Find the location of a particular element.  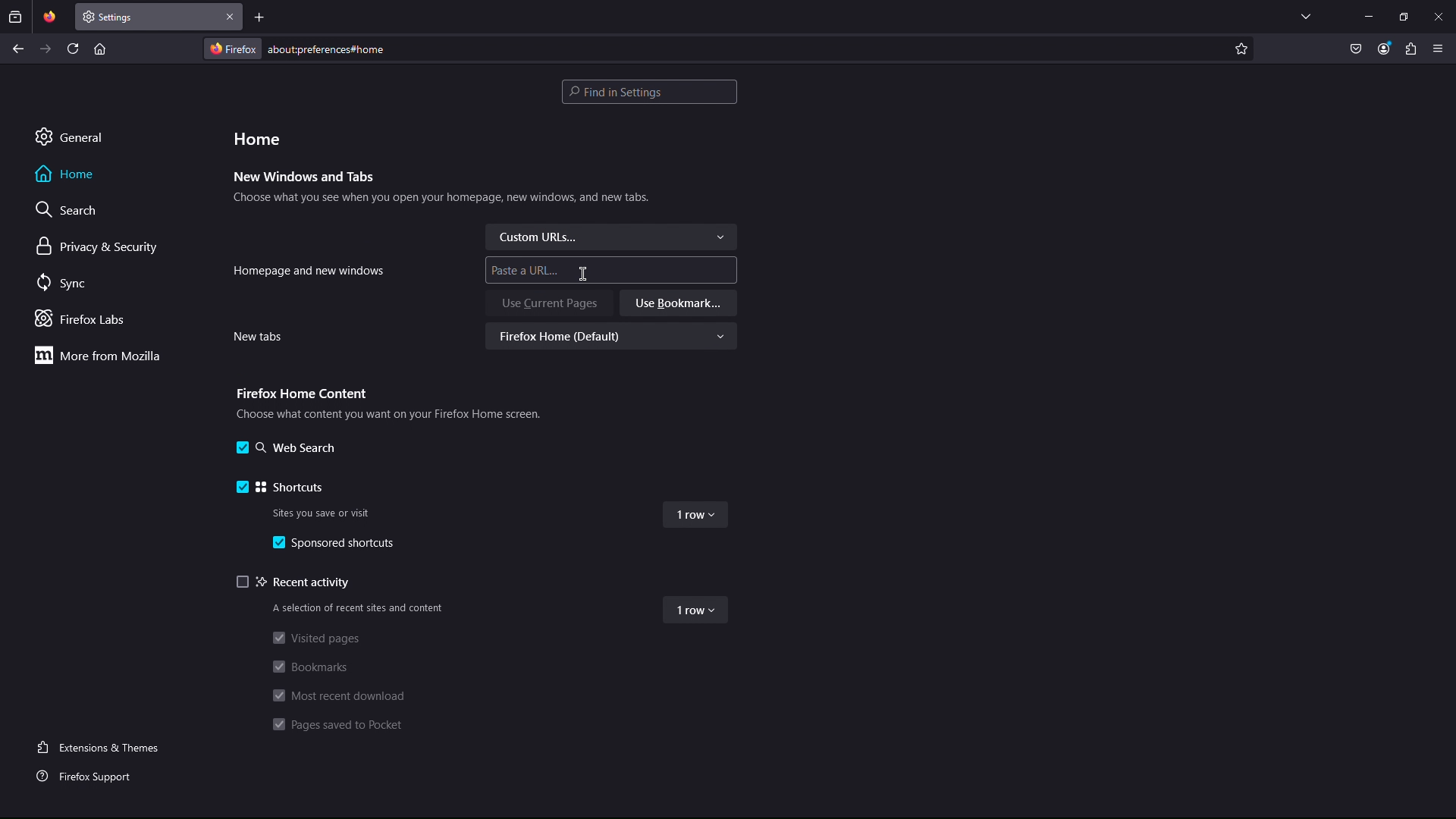

Refresh is located at coordinates (74, 48).